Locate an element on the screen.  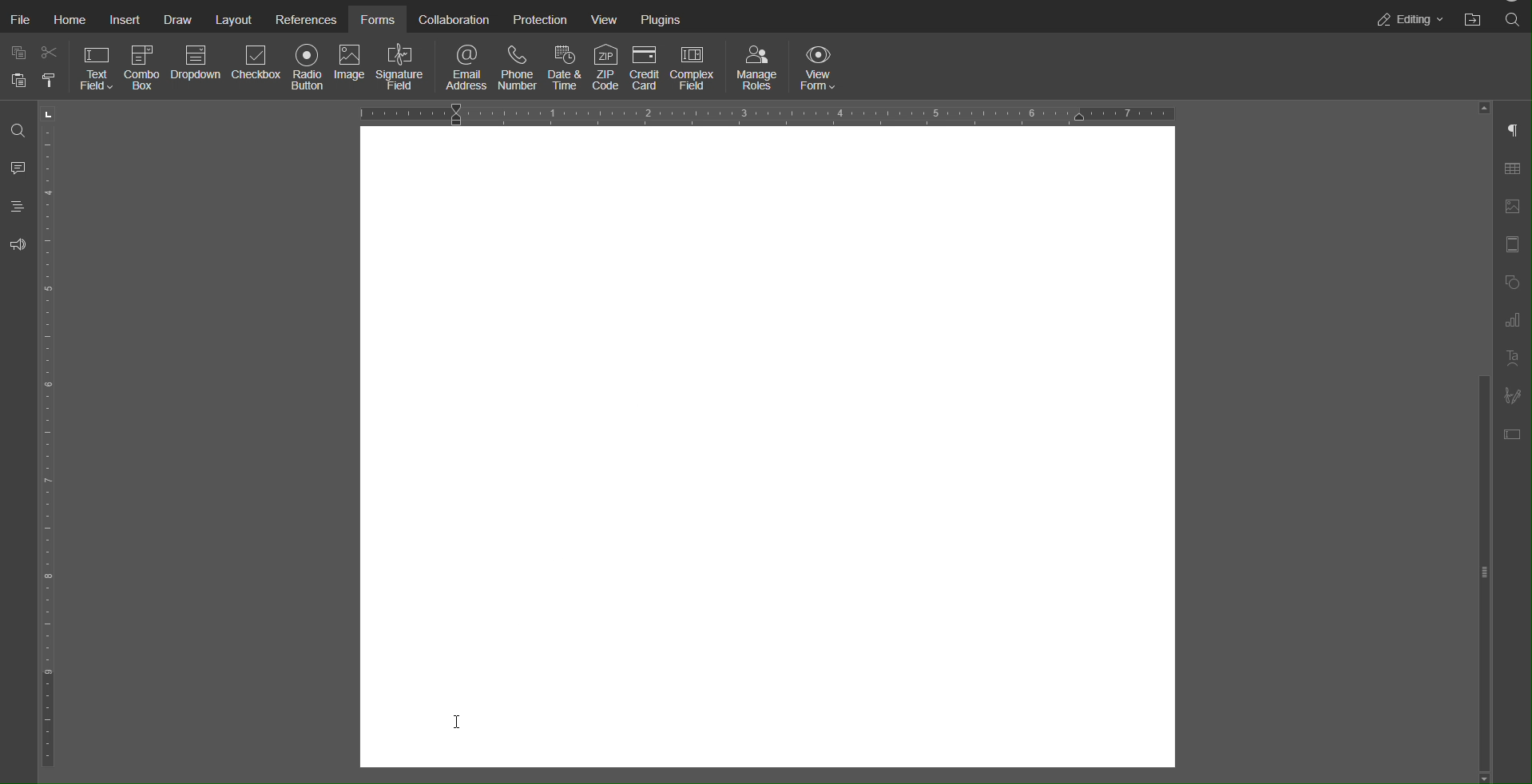
Combo Box is located at coordinates (144, 70).